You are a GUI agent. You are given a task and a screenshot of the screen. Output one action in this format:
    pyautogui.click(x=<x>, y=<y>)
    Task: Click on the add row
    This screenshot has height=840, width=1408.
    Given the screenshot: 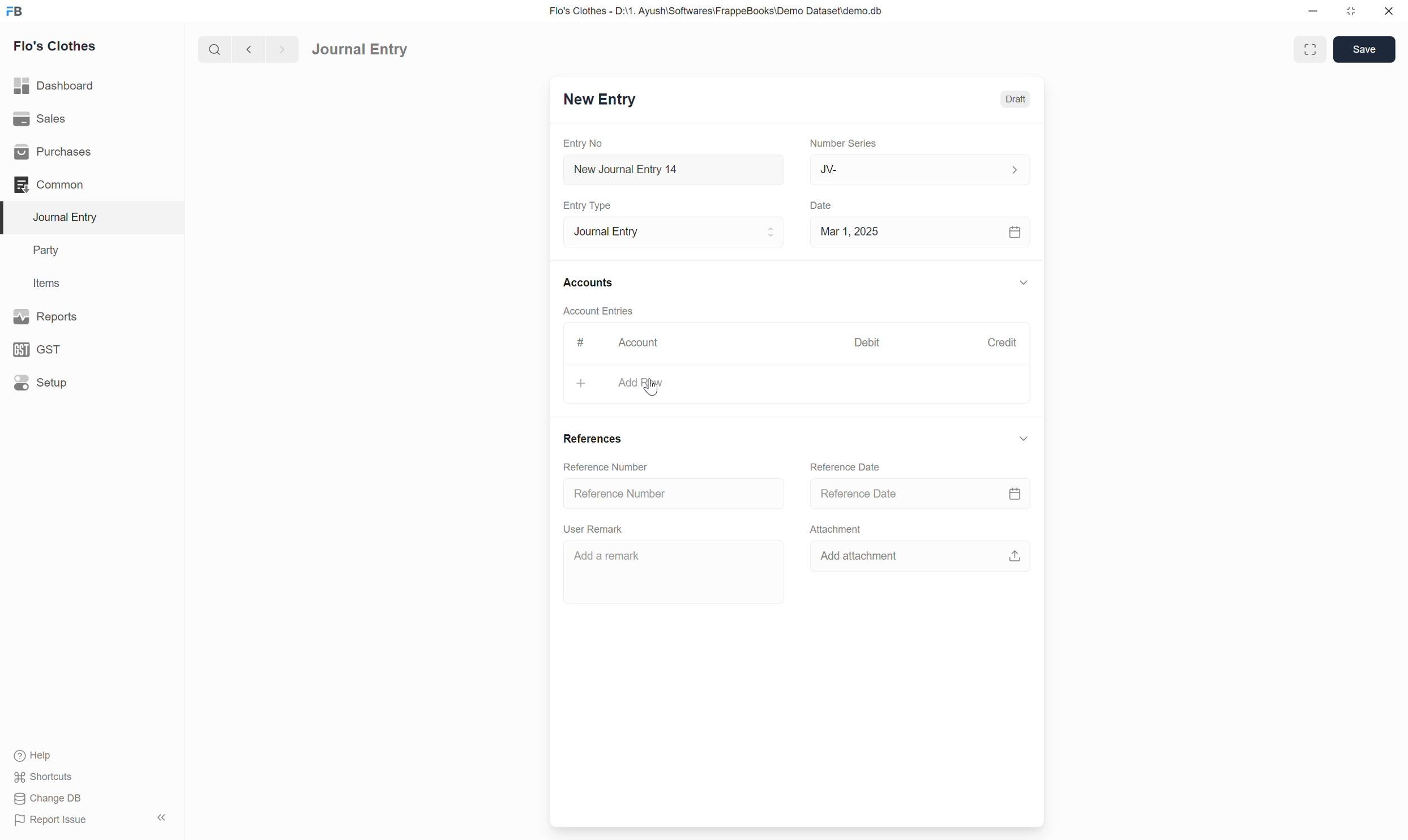 What is the action you would take?
    pyautogui.click(x=678, y=383)
    